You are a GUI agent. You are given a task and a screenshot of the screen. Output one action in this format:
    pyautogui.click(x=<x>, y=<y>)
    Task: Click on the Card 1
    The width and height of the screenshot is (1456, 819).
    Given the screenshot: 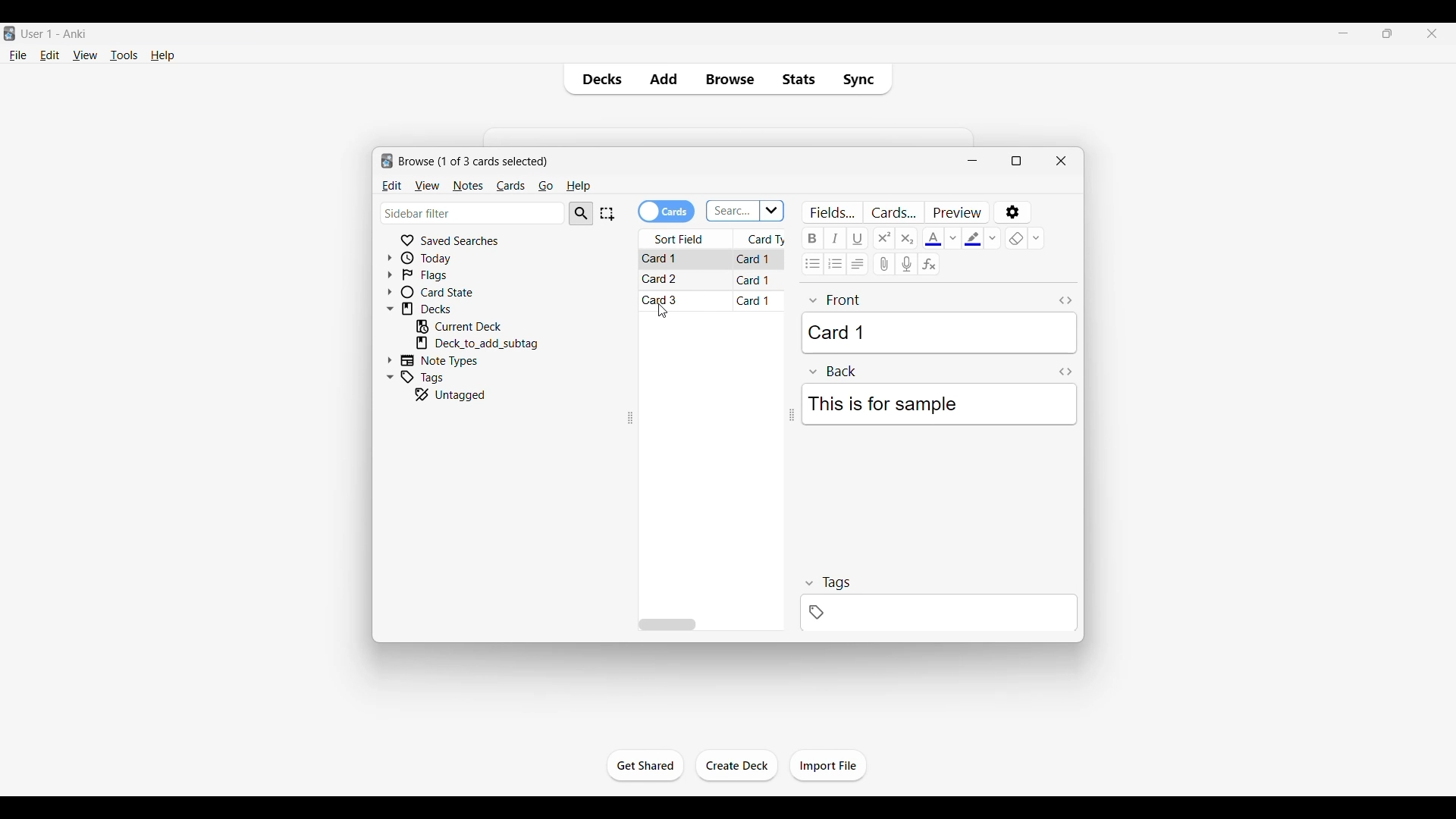 What is the action you would take?
    pyautogui.click(x=754, y=300)
    